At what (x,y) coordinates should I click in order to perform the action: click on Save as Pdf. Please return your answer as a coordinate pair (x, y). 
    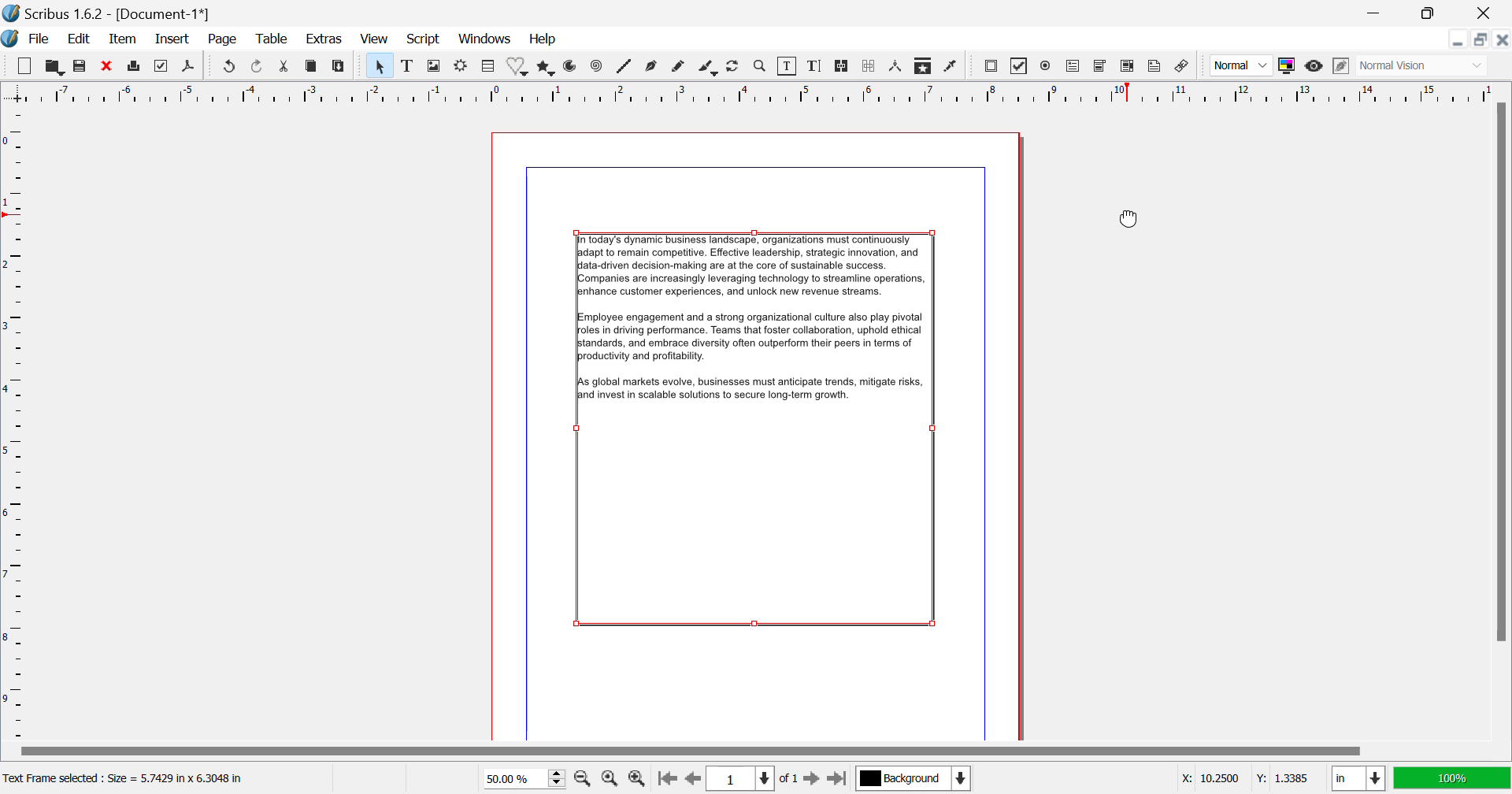
    Looking at the image, I should click on (189, 67).